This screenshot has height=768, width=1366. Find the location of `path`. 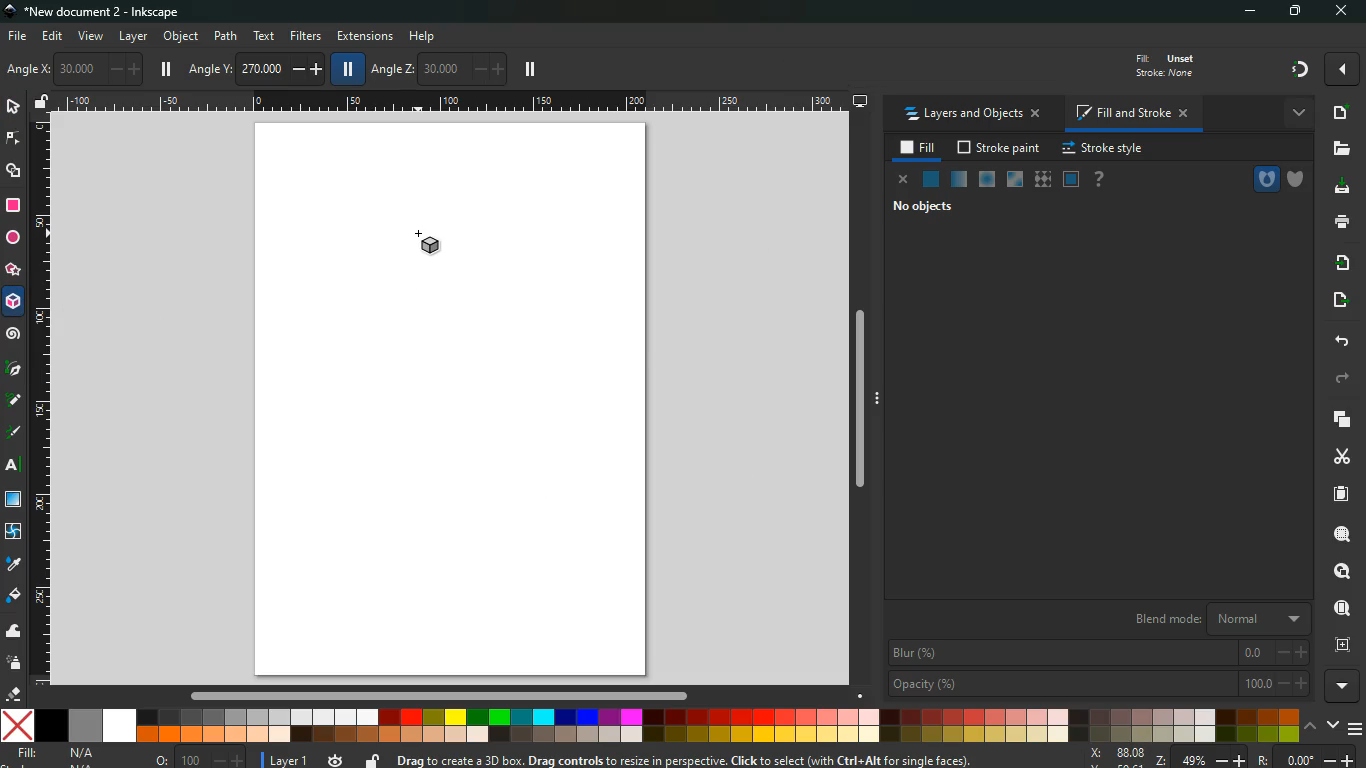

path is located at coordinates (227, 35).